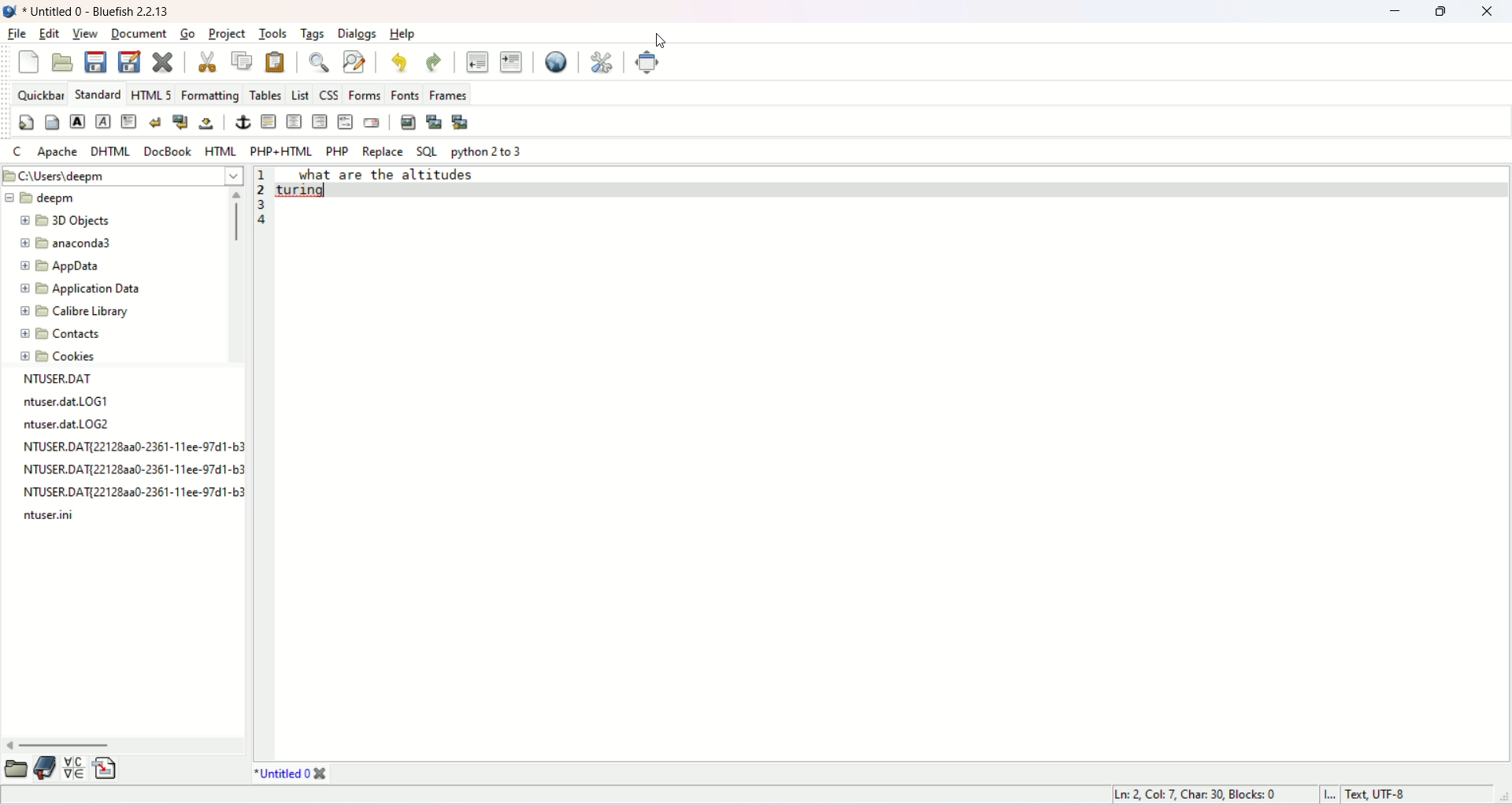  Describe the element at coordinates (272, 61) in the screenshot. I see `paste` at that location.